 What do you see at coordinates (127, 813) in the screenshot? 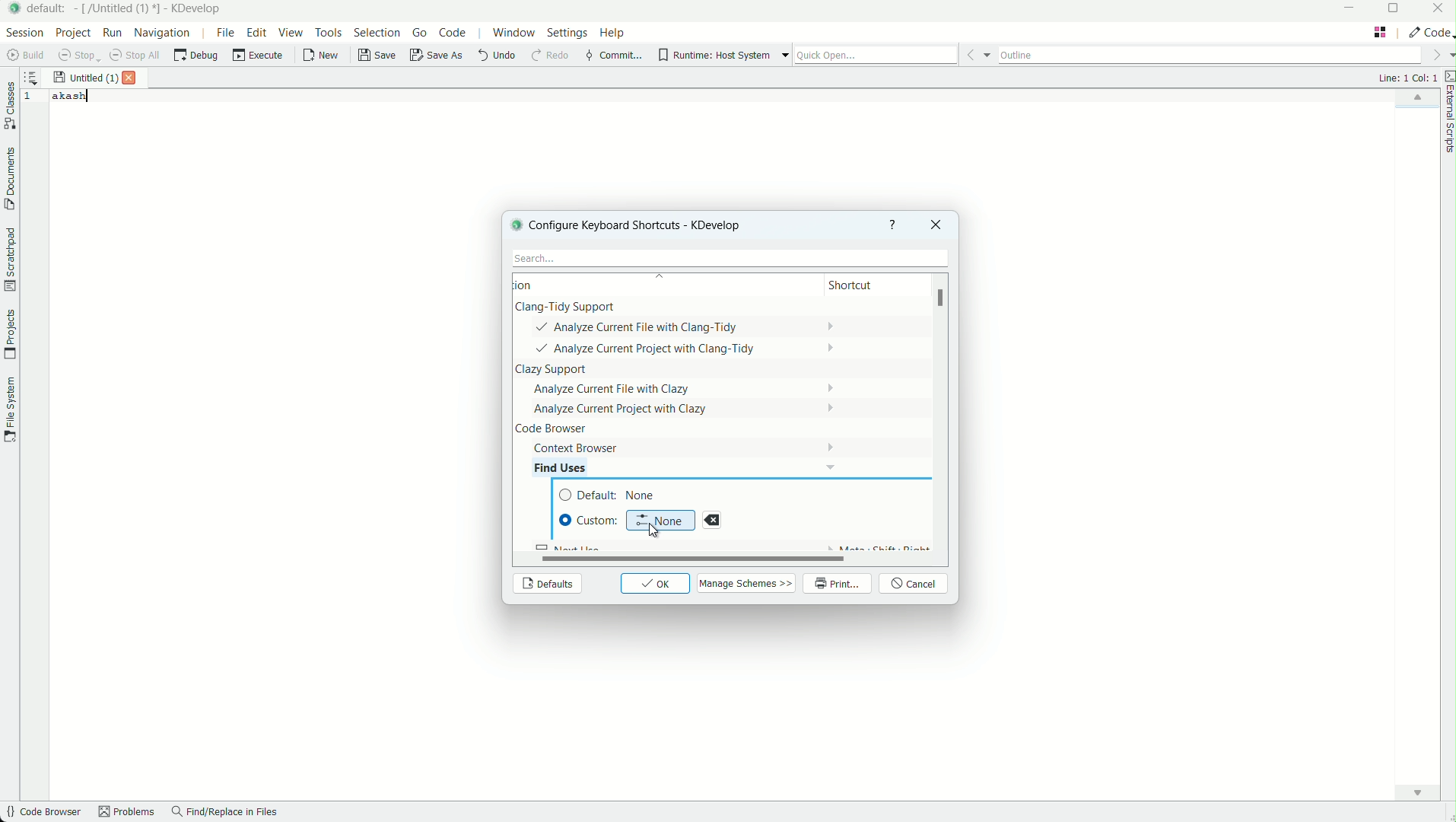
I see `problems` at bounding box center [127, 813].